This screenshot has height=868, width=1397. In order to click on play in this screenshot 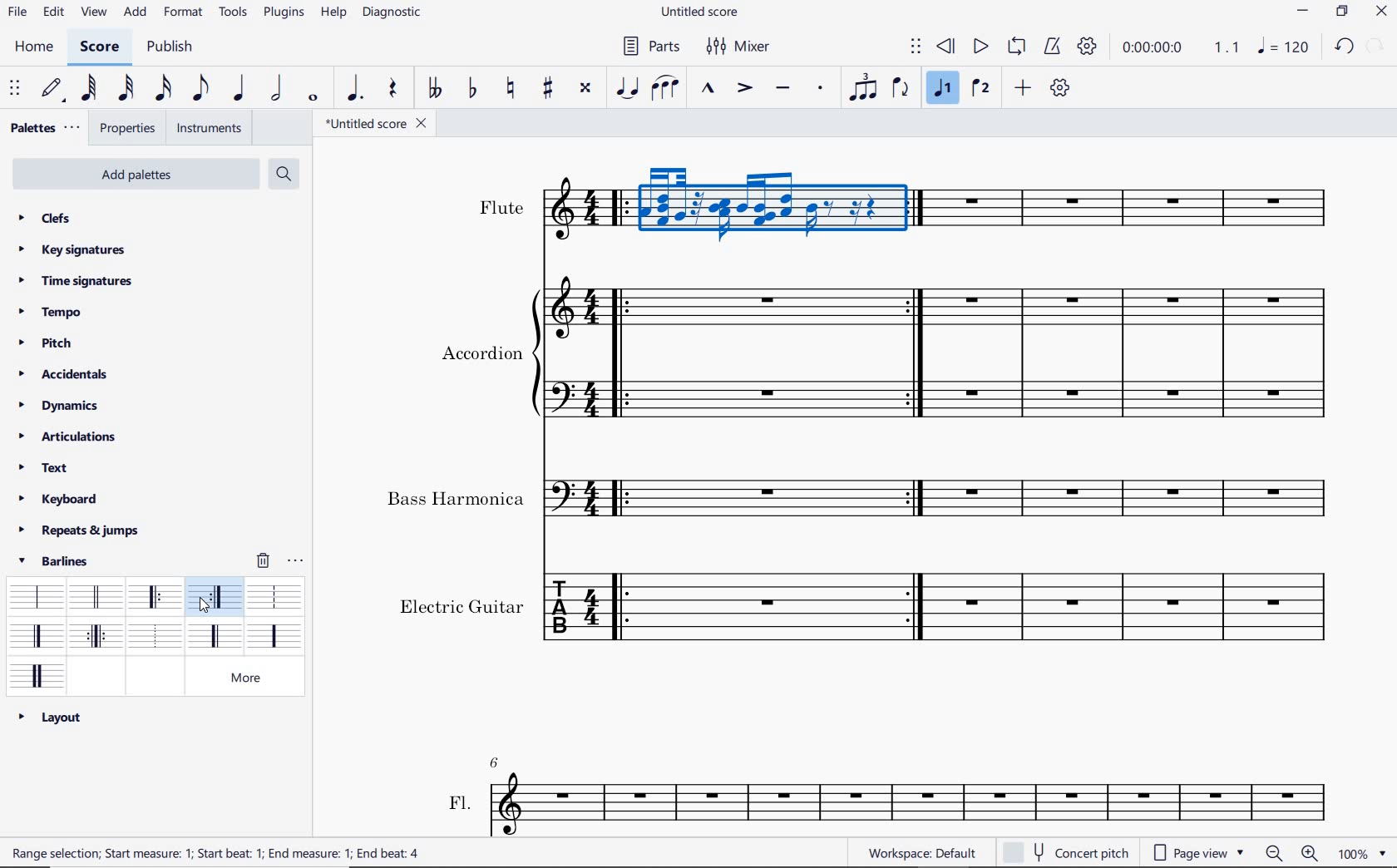, I will do `click(980, 47)`.